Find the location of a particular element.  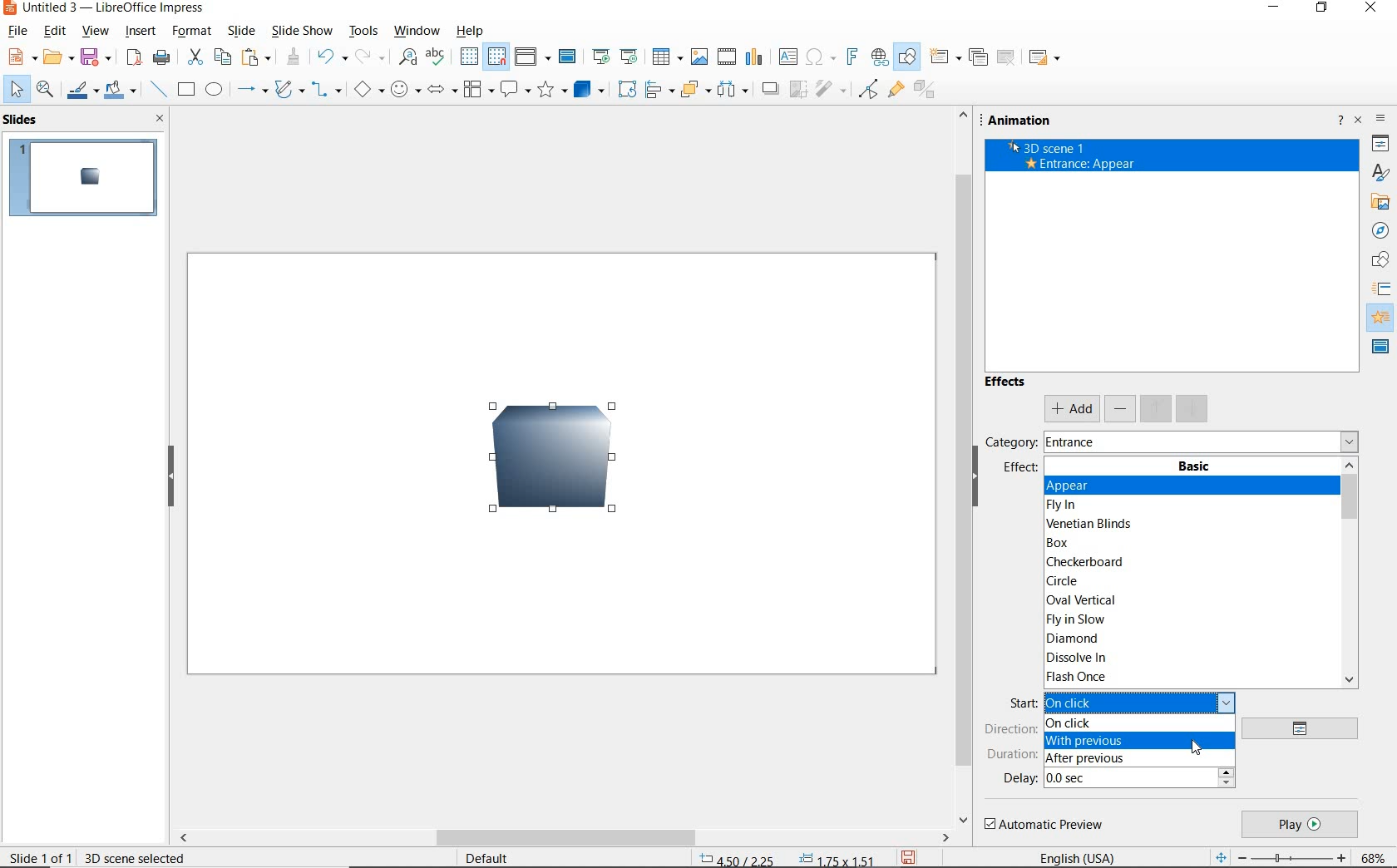

CIRCLE is located at coordinates (1065, 580).